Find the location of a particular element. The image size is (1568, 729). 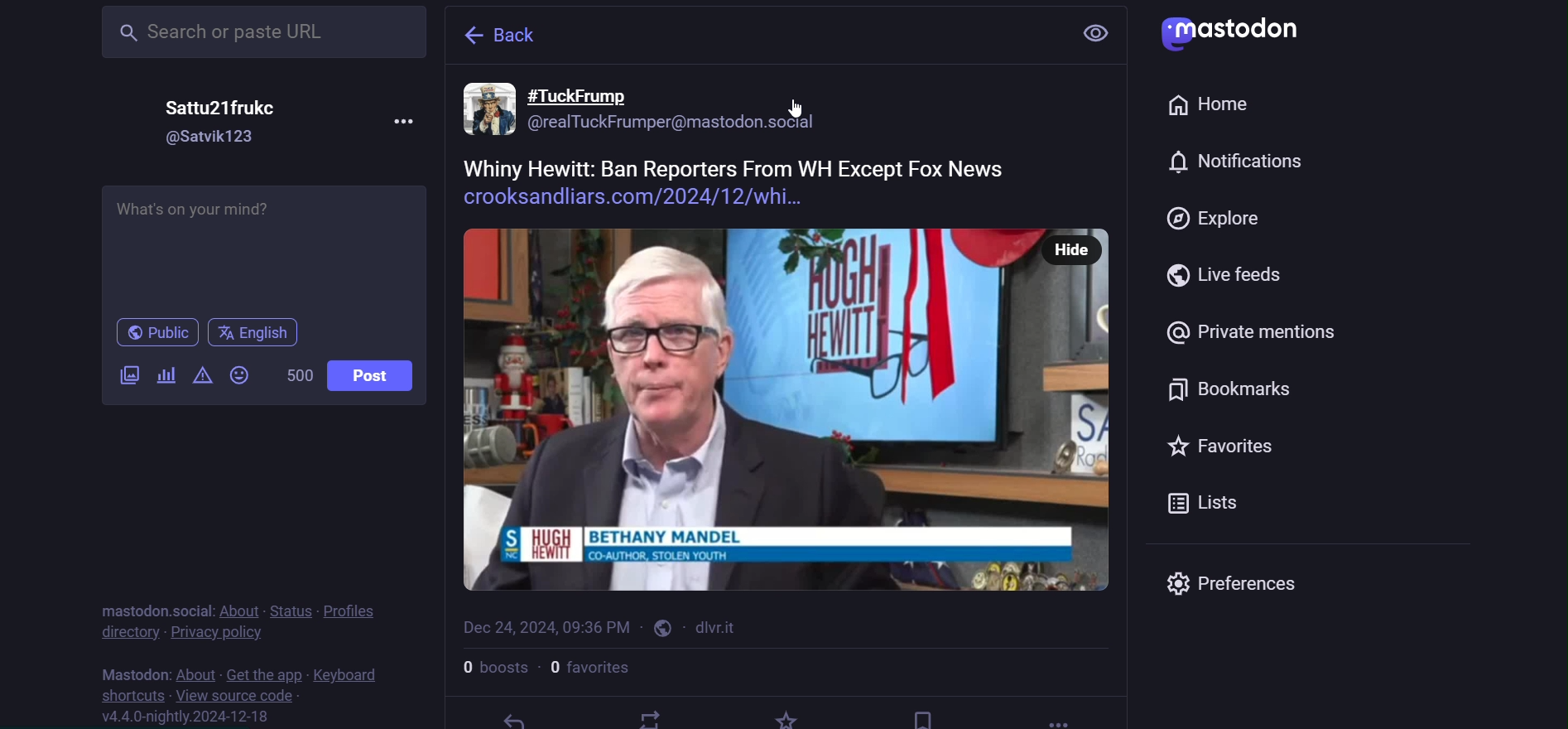

emoji is located at coordinates (239, 375).